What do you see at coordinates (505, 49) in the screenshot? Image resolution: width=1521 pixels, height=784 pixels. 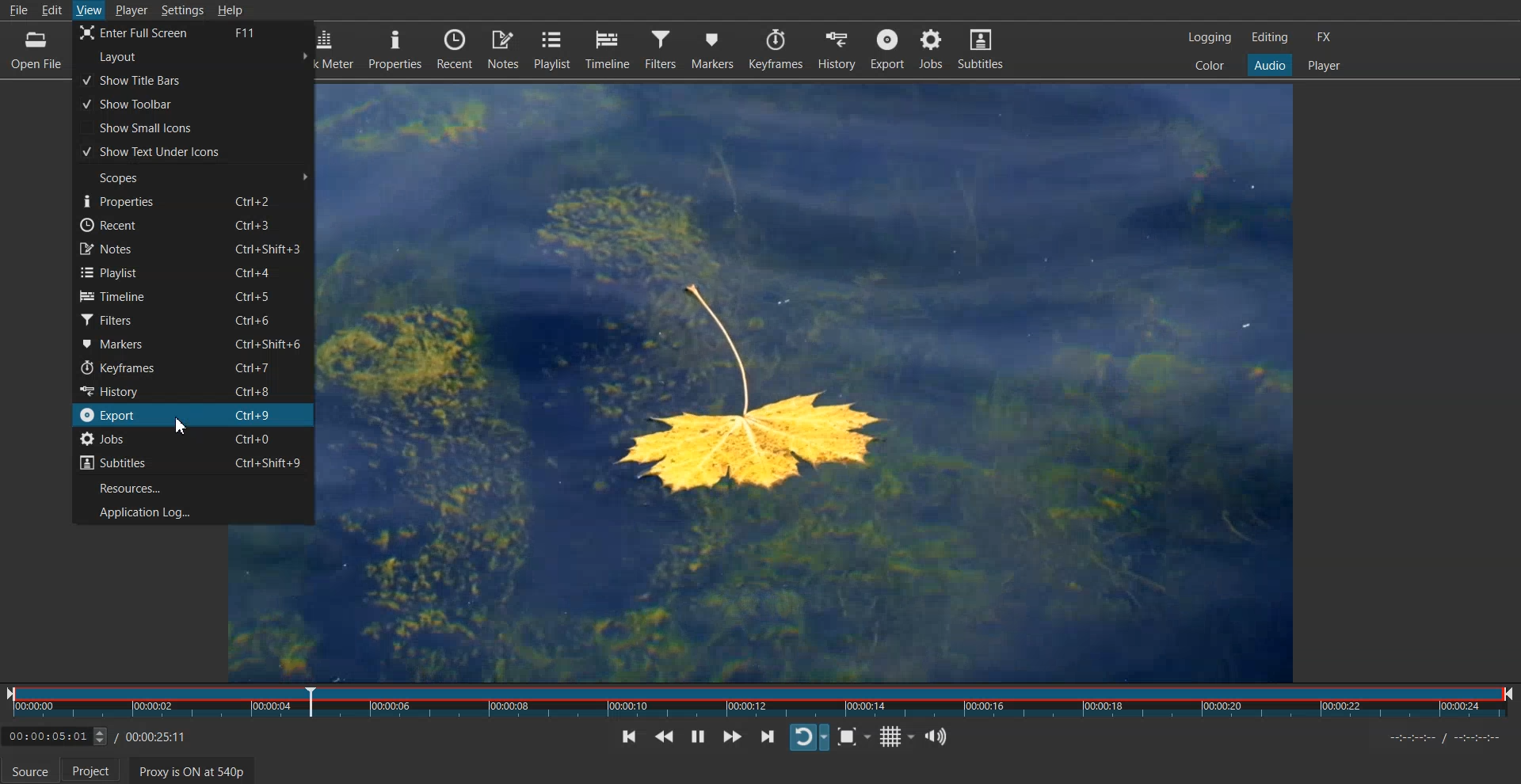 I see `Notes` at bounding box center [505, 49].